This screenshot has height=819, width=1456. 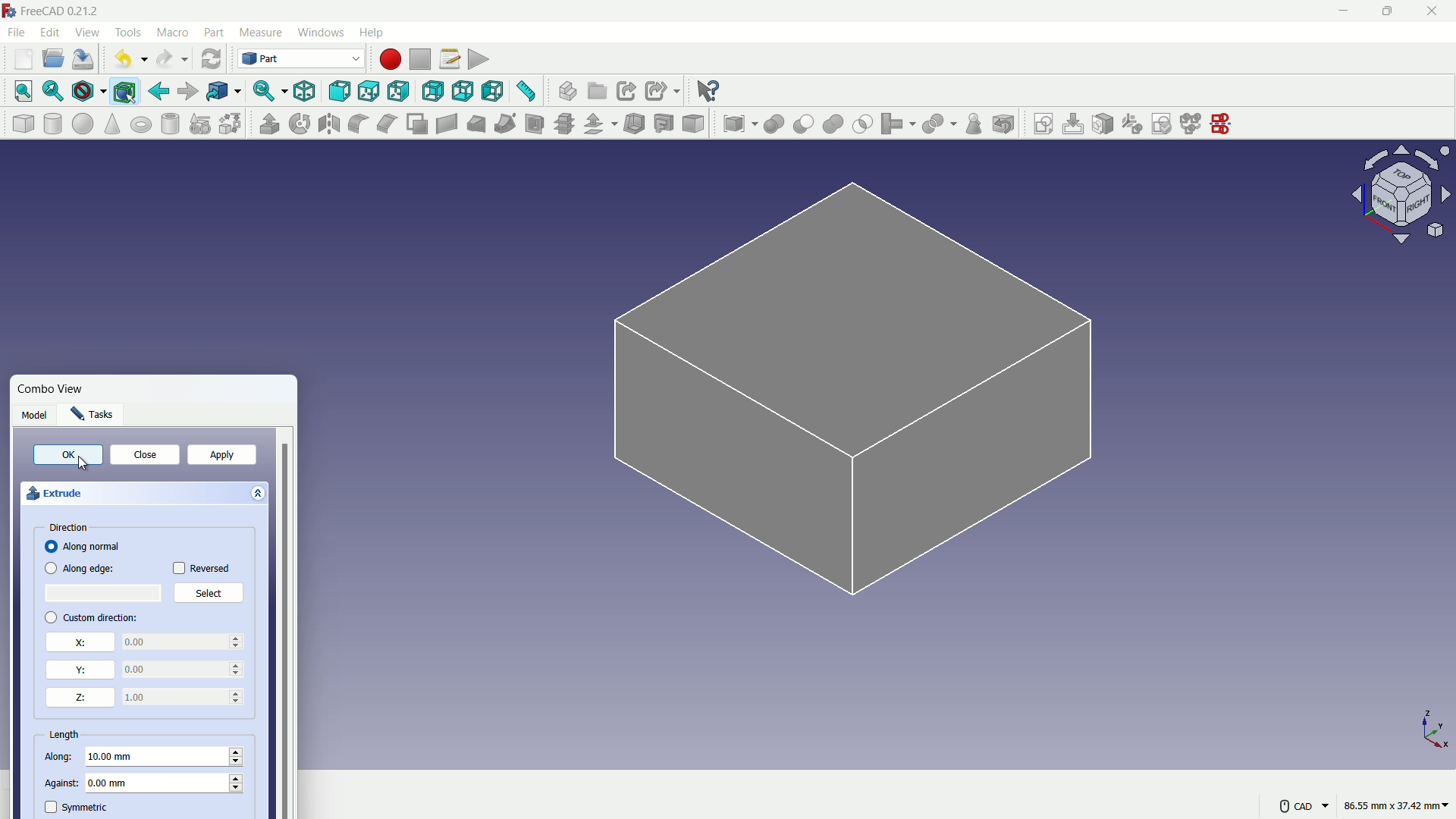 I want to click on split object, so click(x=940, y=122).